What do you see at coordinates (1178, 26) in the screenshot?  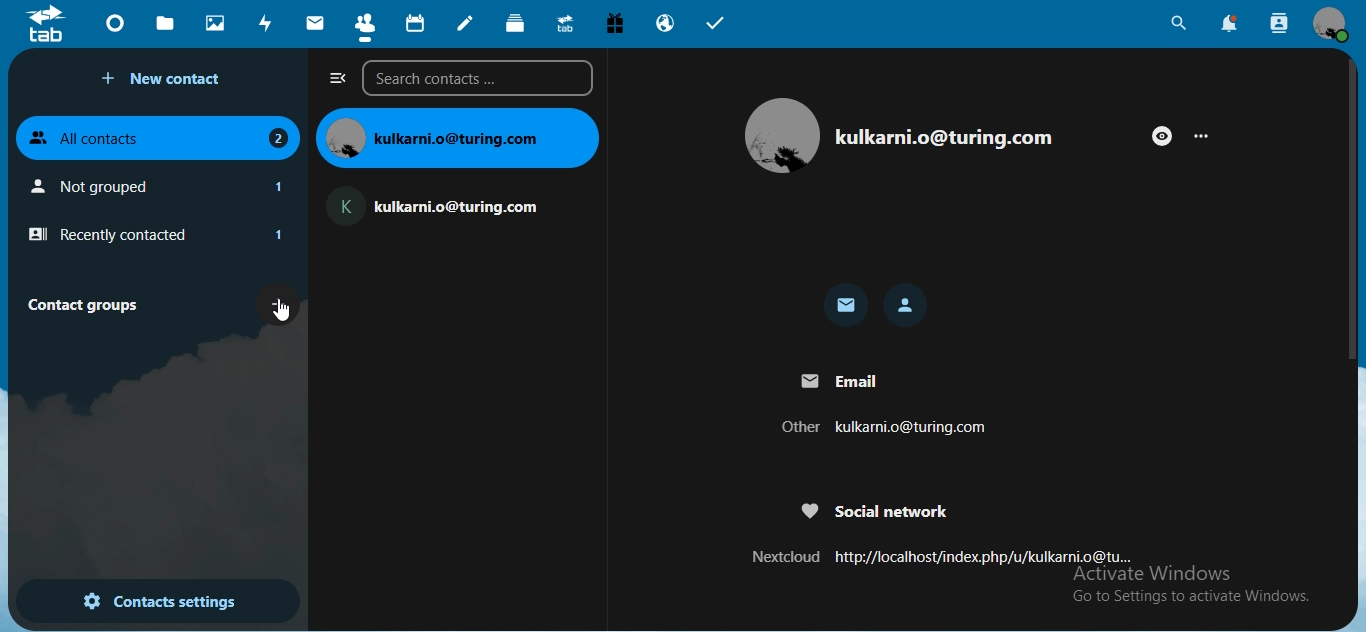 I see `unified search` at bounding box center [1178, 26].